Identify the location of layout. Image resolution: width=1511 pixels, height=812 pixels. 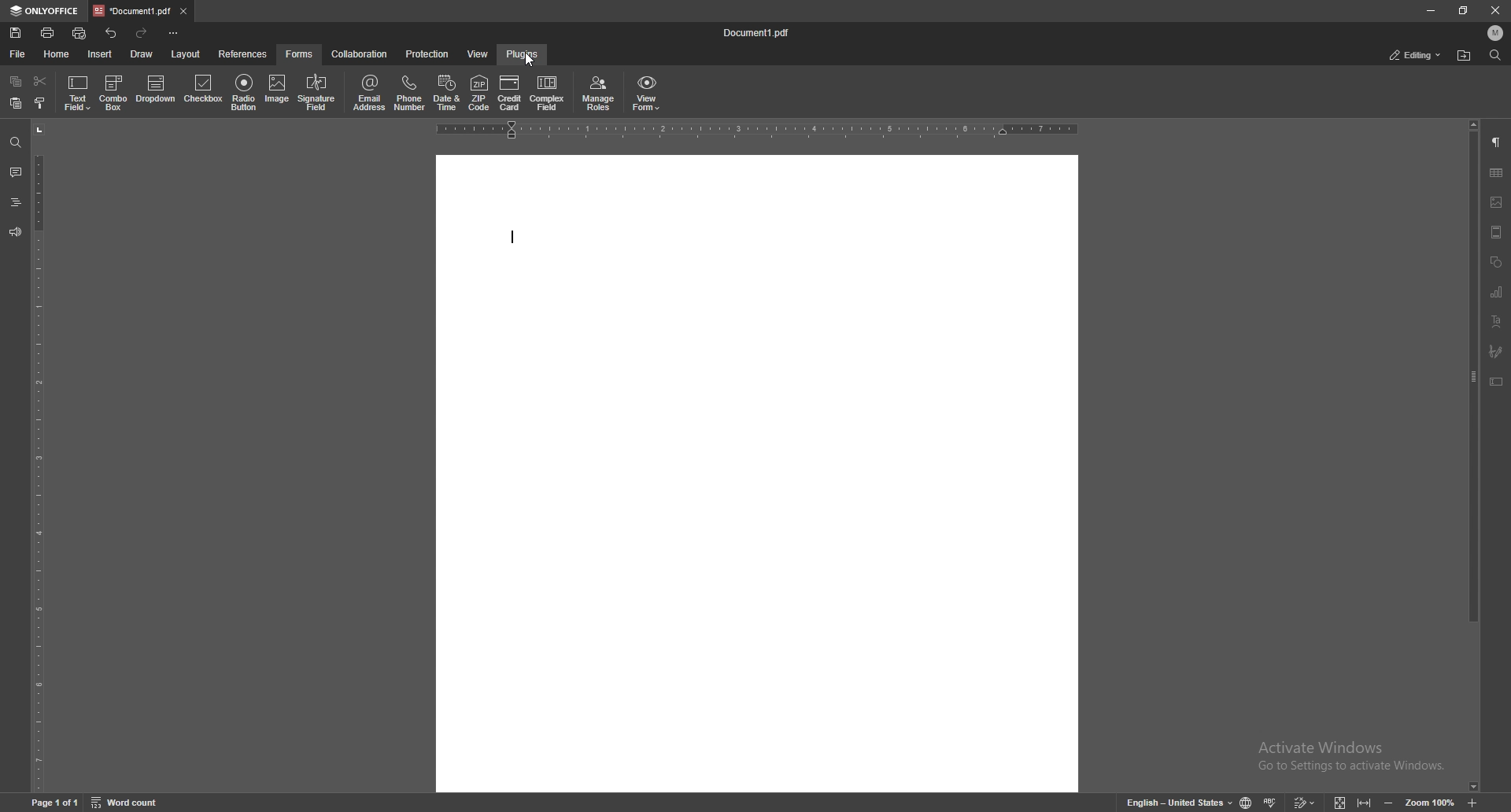
(185, 54).